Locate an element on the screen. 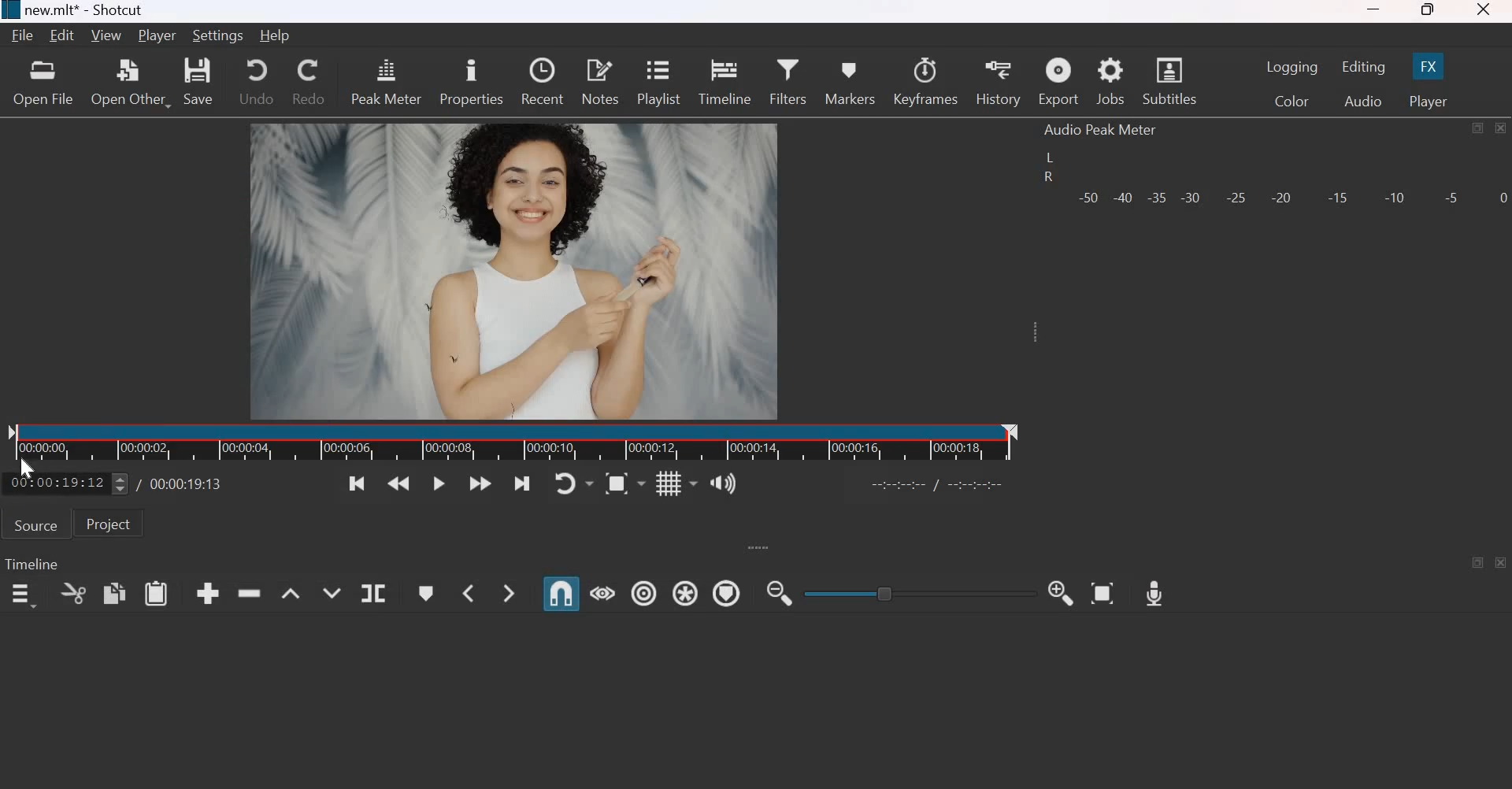  history is located at coordinates (997, 82).